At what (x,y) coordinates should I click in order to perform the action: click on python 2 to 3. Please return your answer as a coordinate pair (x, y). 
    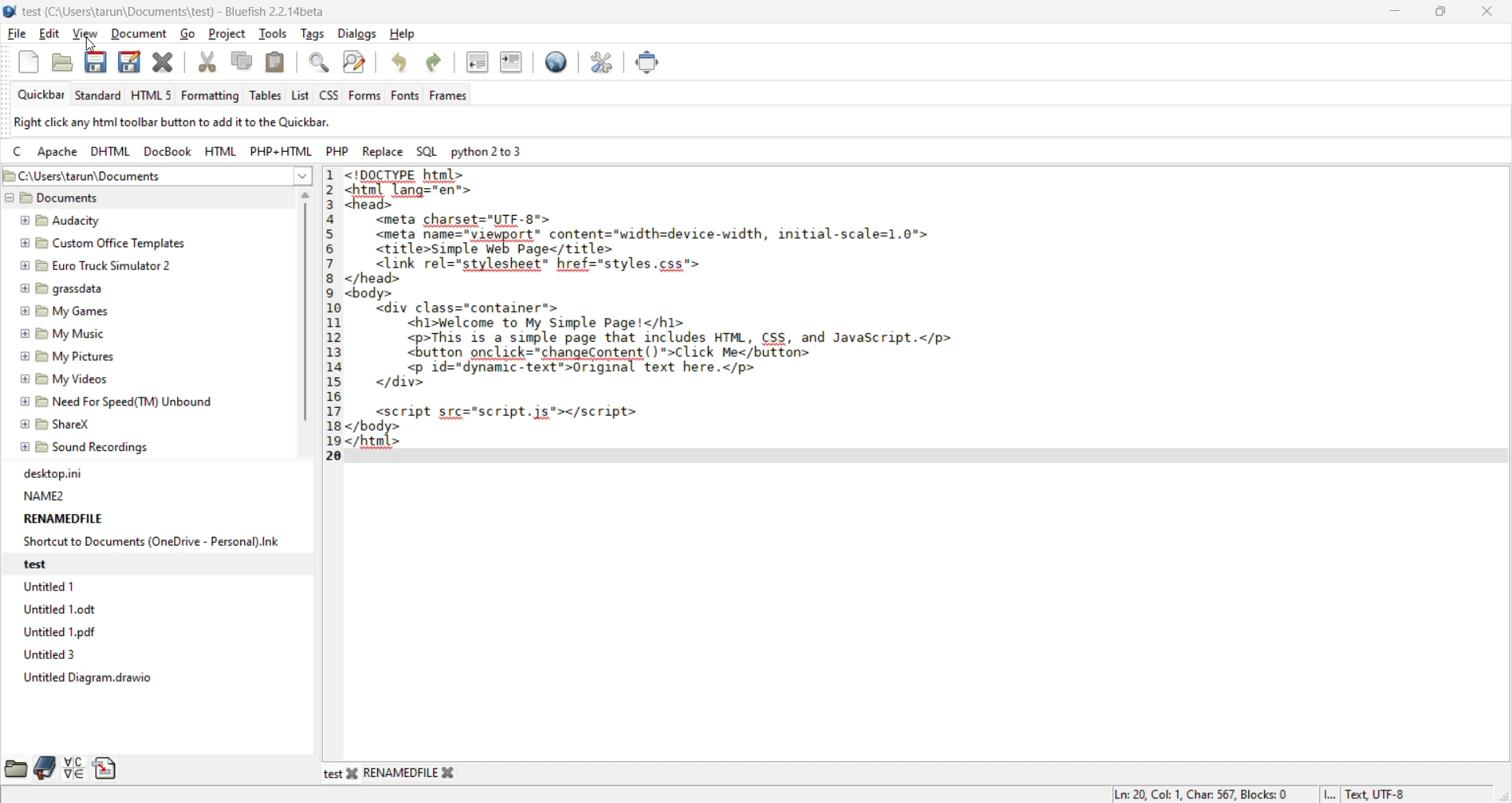
    Looking at the image, I should click on (496, 151).